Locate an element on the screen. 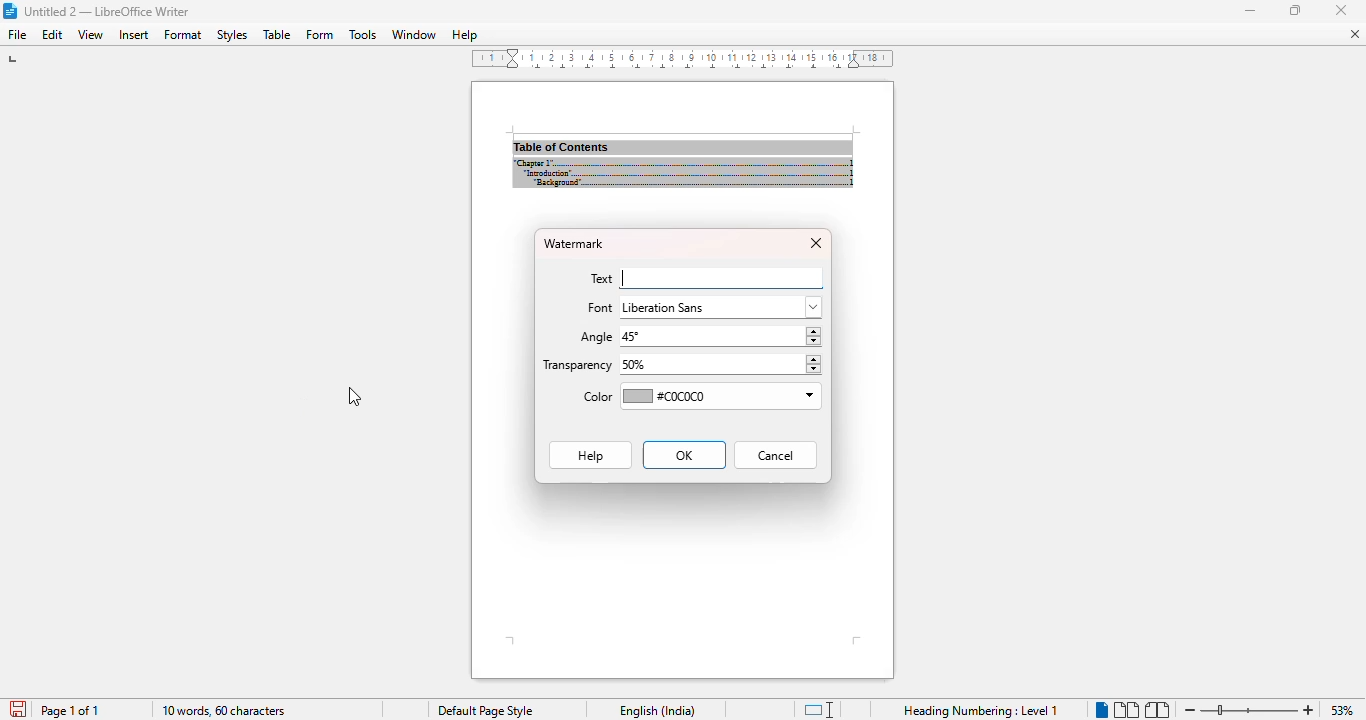  multi-page view is located at coordinates (1126, 709).